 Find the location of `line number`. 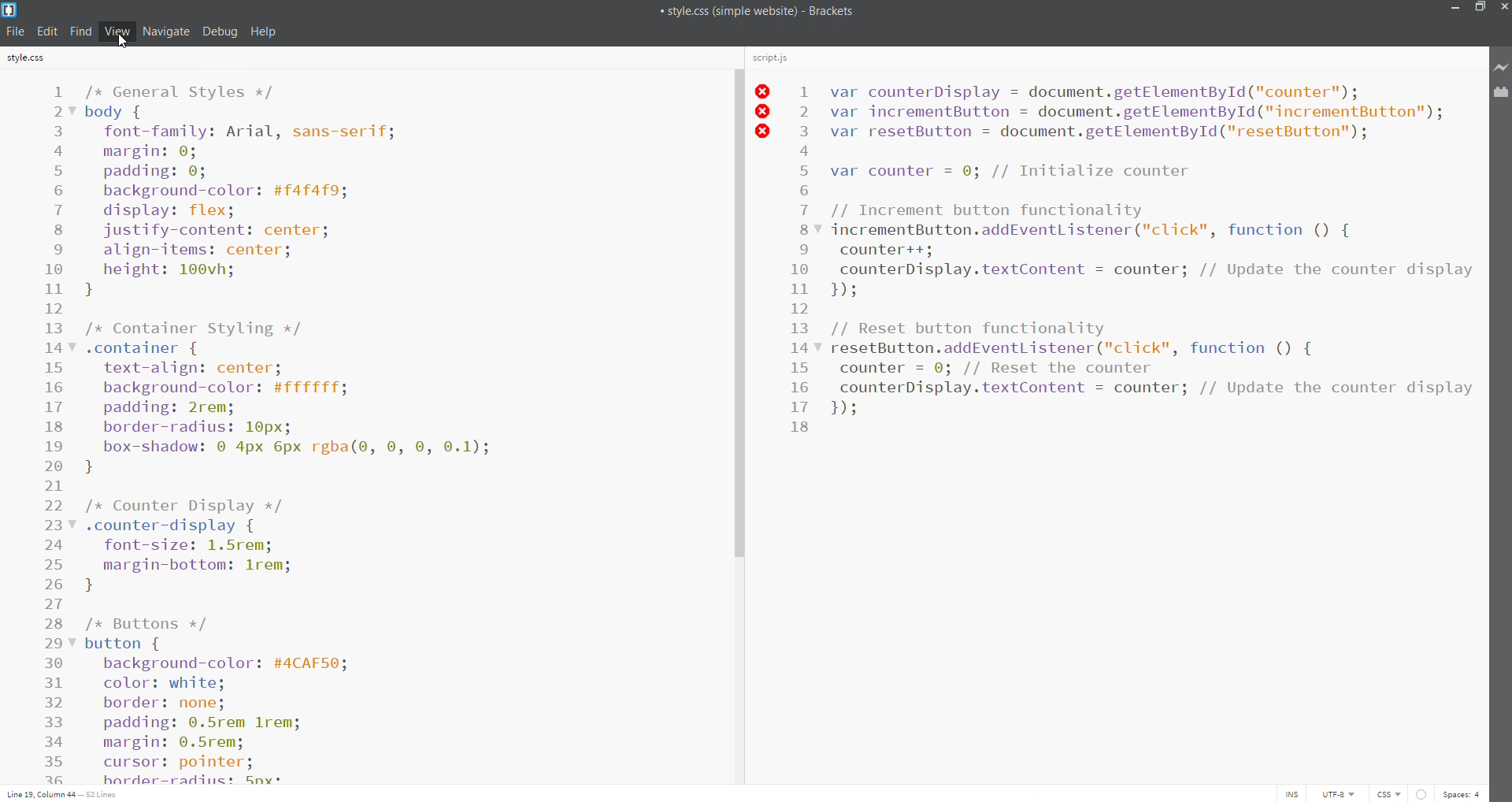

line number is located at coordinates (802, 355).